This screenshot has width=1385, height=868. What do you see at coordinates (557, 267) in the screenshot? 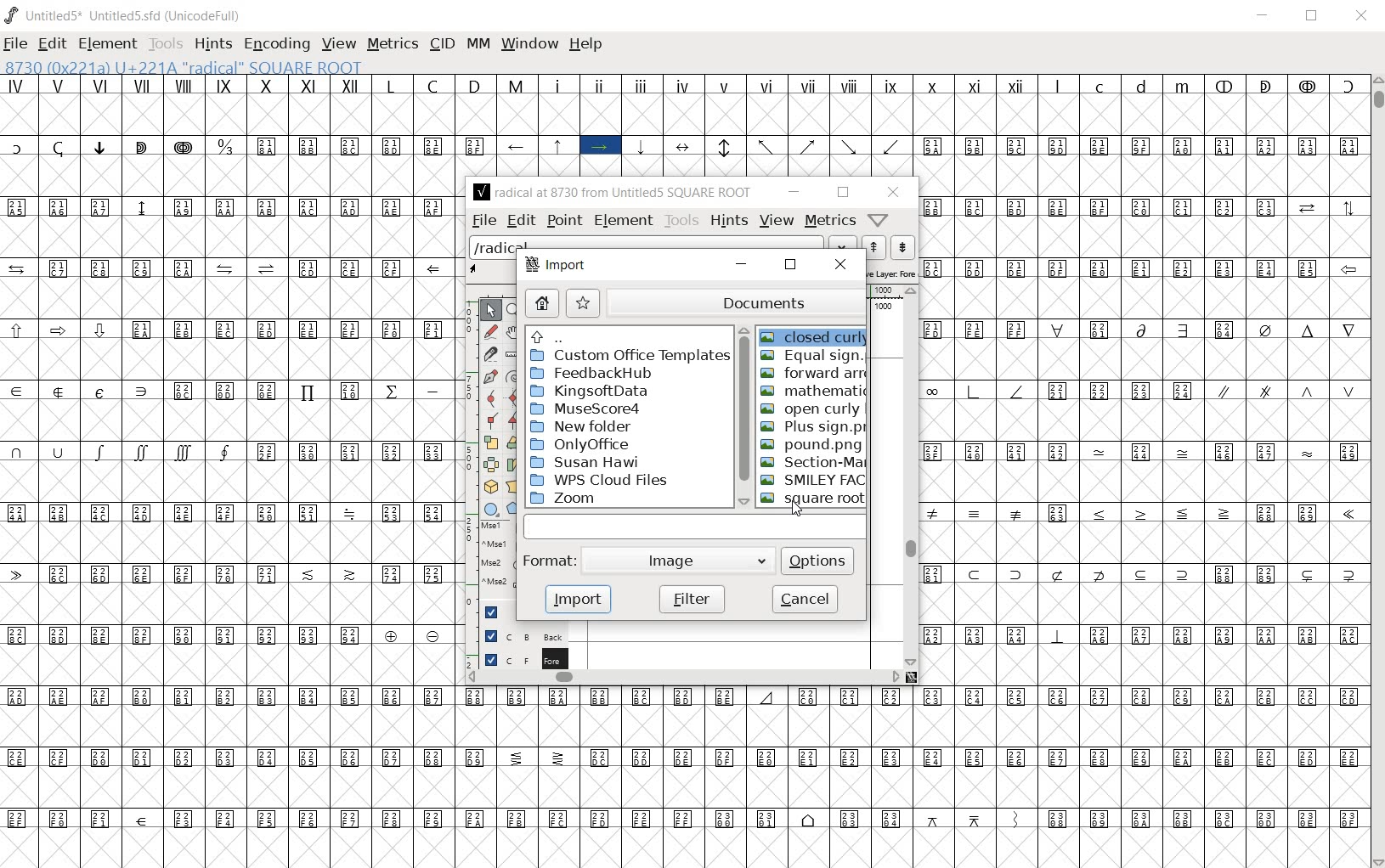
I see `Import` at bounding box center [557, 267].